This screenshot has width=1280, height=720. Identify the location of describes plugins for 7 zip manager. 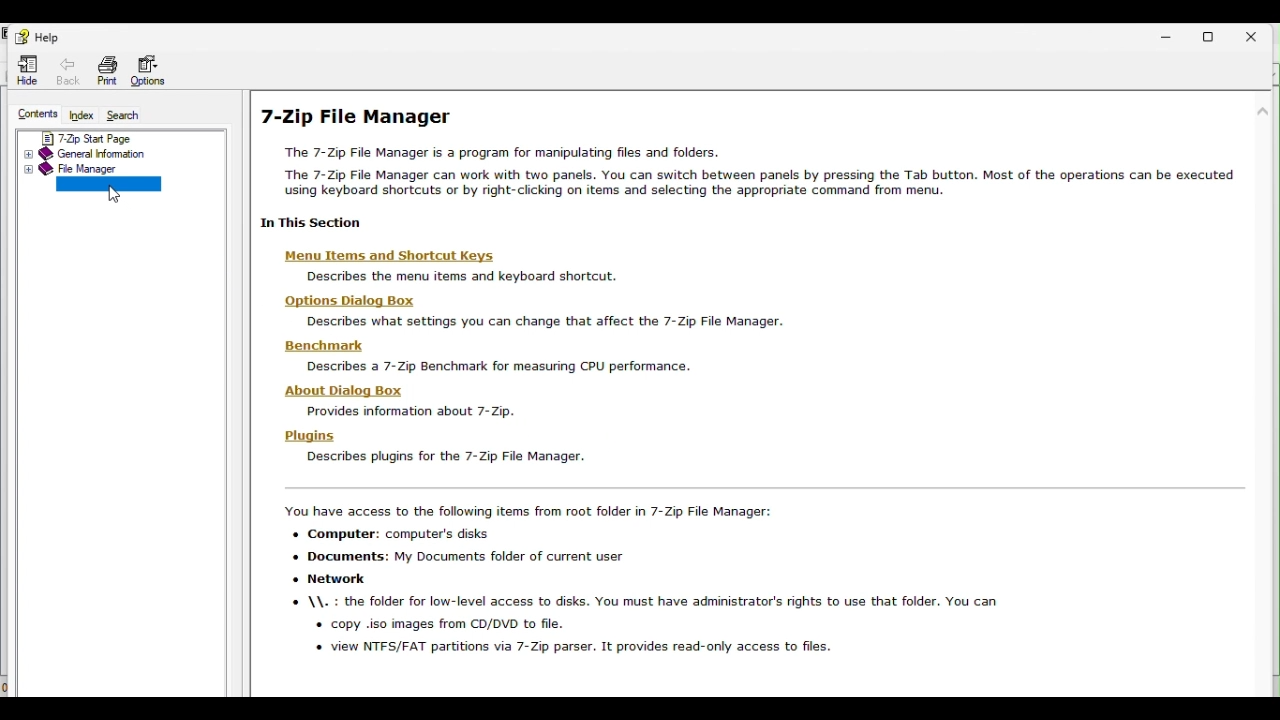
(451, 457).